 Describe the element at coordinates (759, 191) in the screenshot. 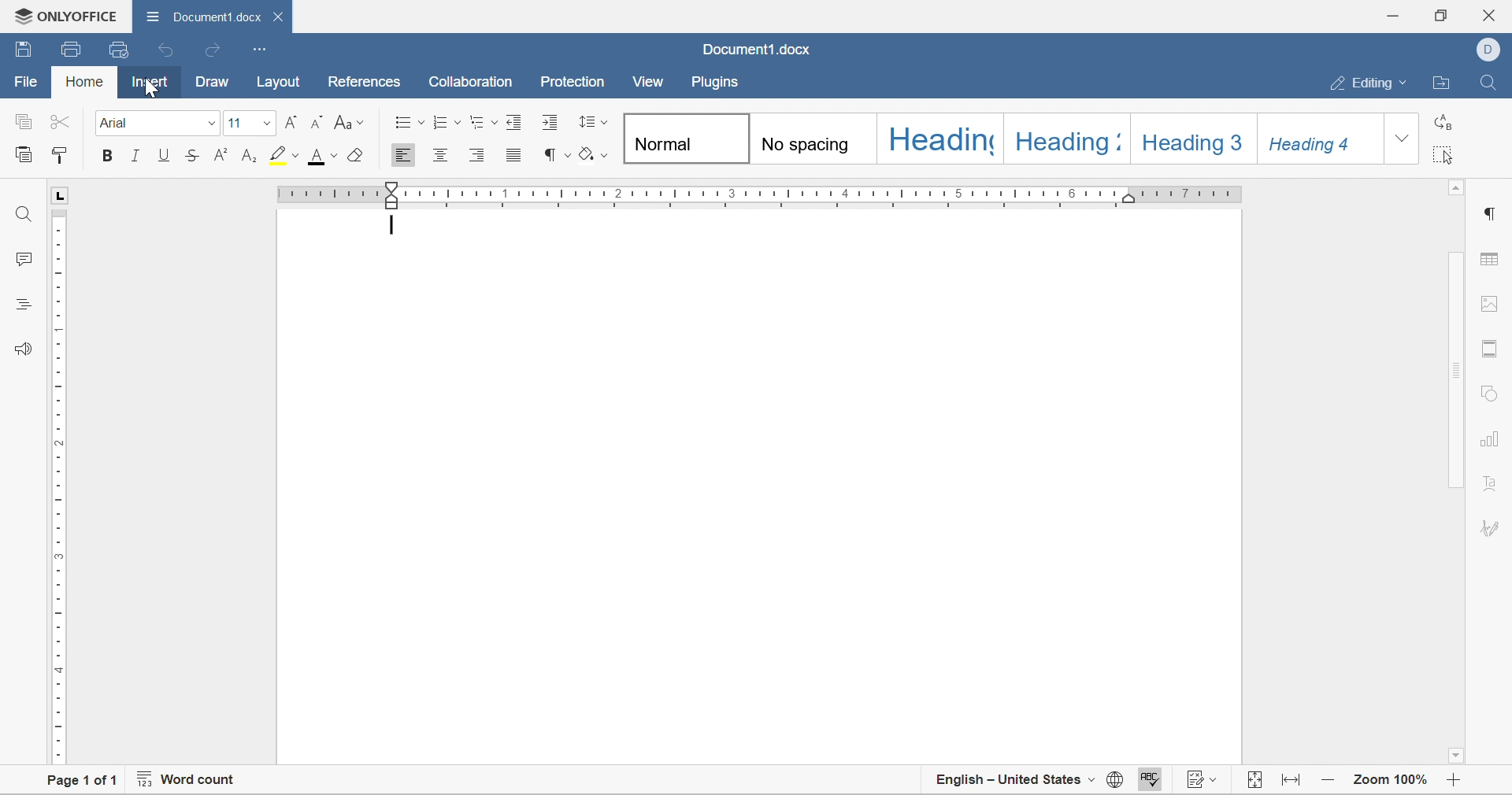

I see `Ruler` at that location.